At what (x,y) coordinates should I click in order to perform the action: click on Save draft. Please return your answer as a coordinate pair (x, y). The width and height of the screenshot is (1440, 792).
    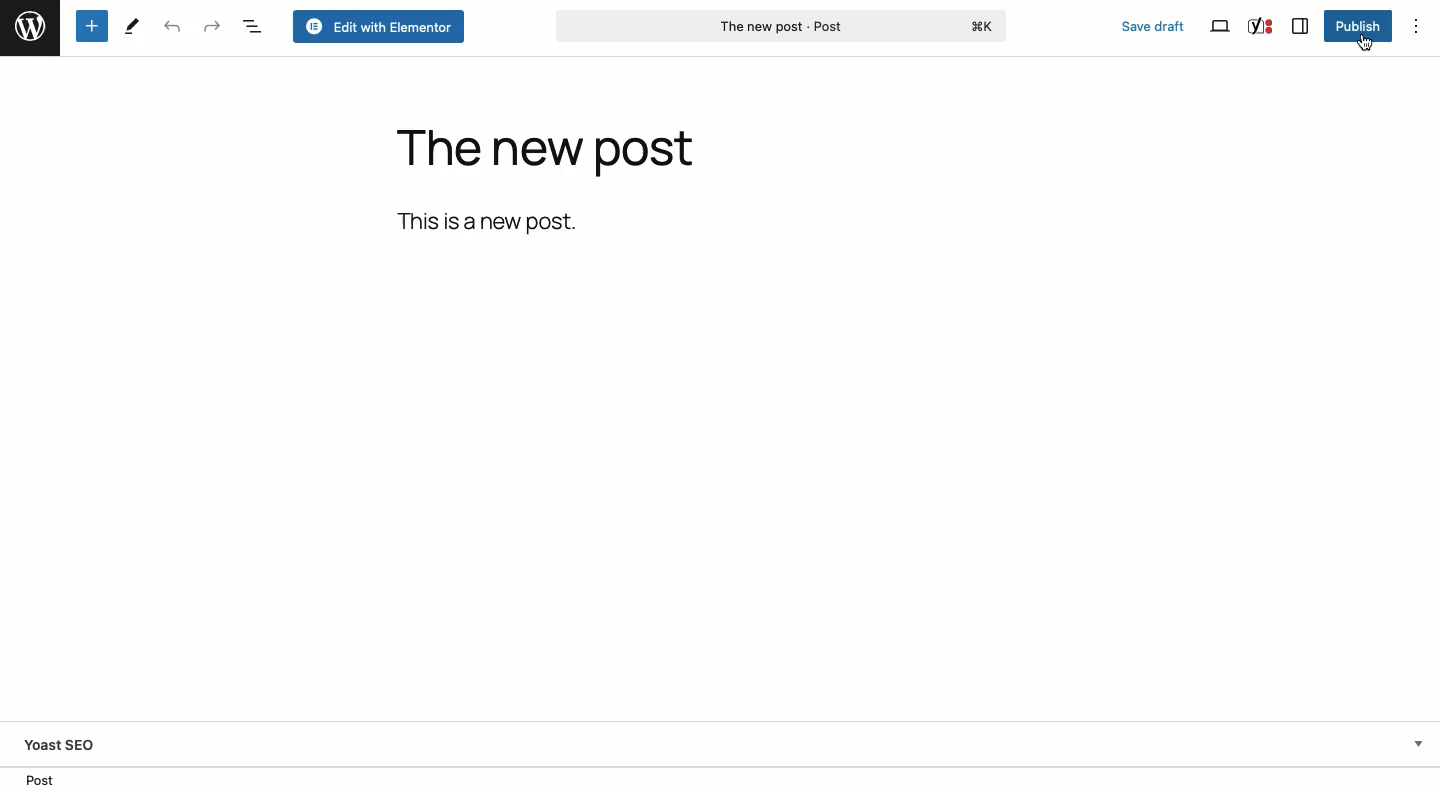
    Looking at the image, I should click on (1153, 24).